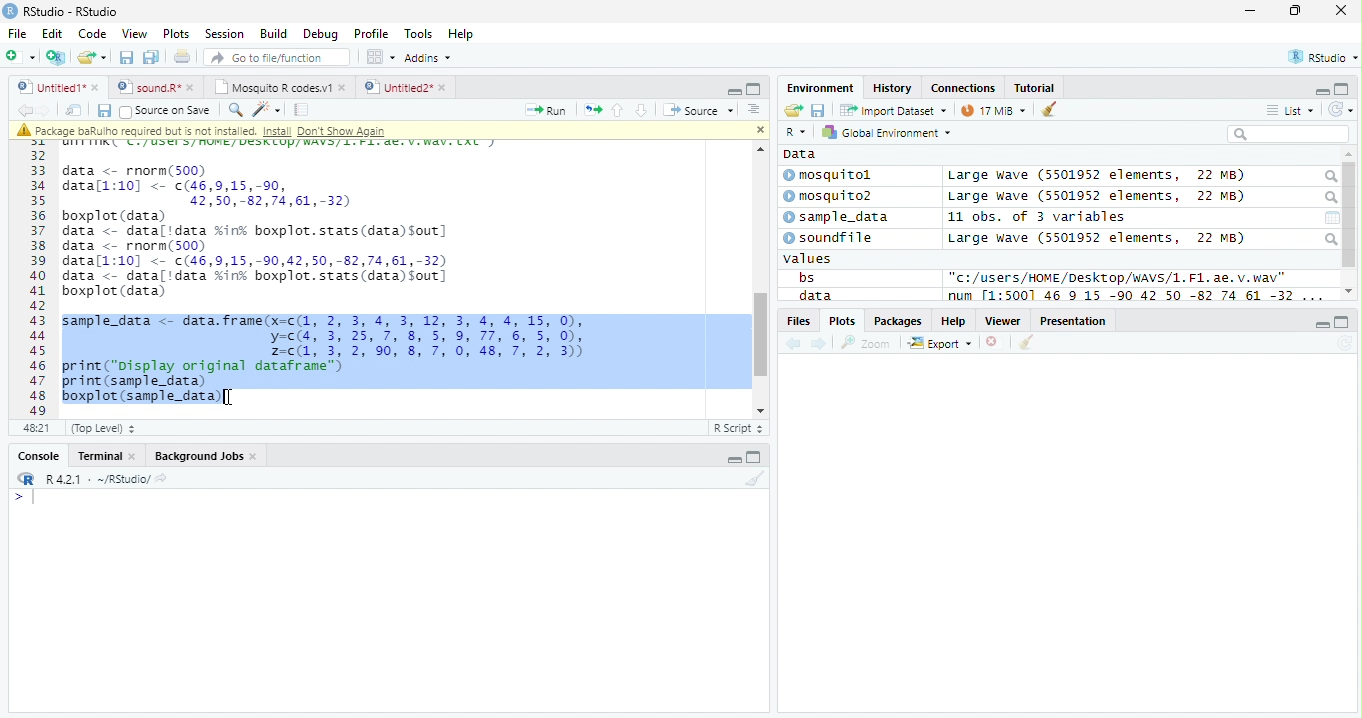  I want to click on clear workspace, so click(753, 479).